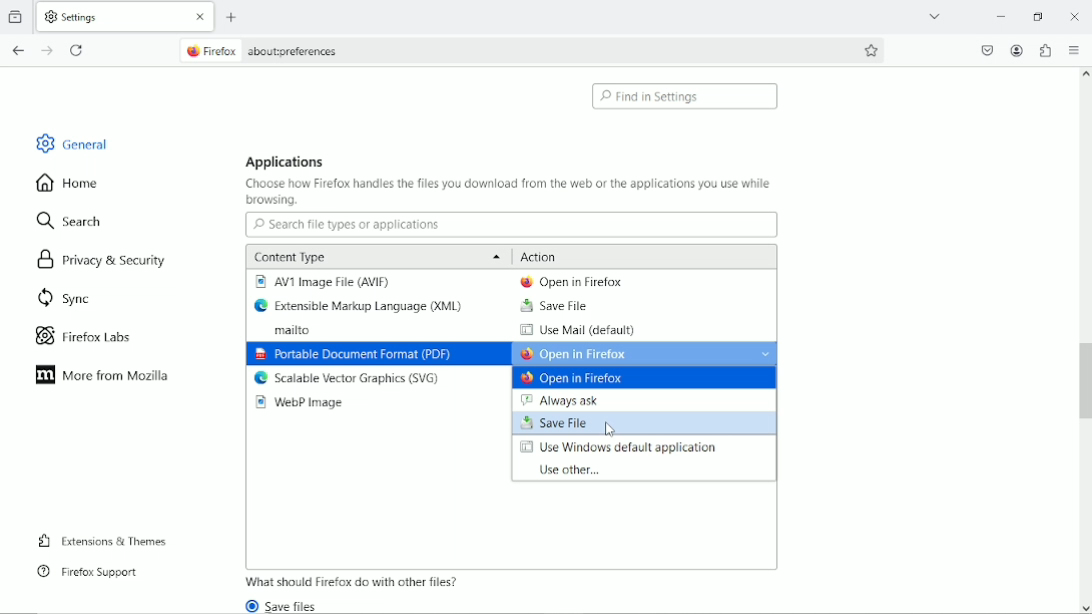  I want to click on settings tab, so click(127, 15).